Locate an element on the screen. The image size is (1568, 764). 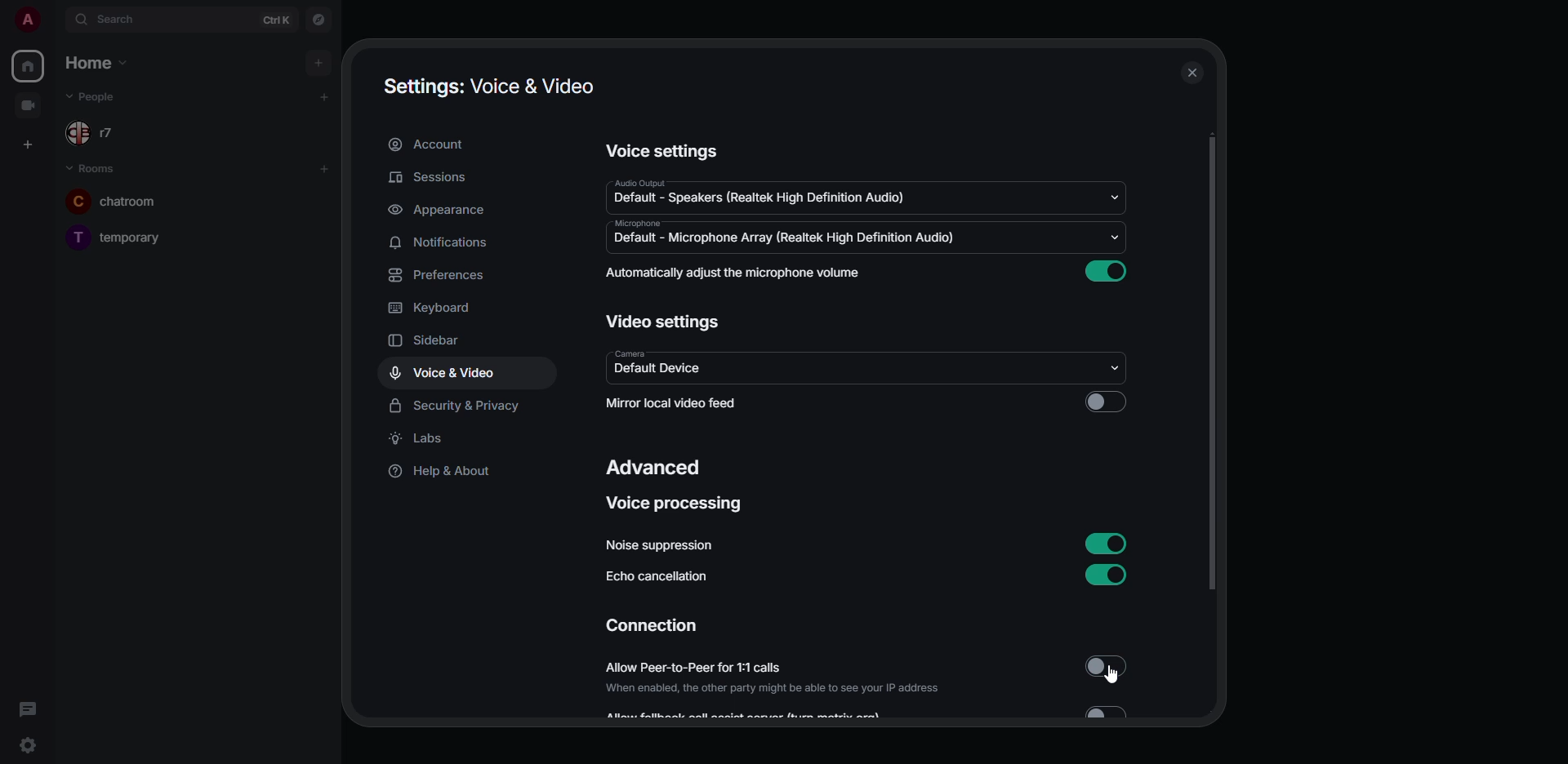
audio output is located at coordinates (637, 183).